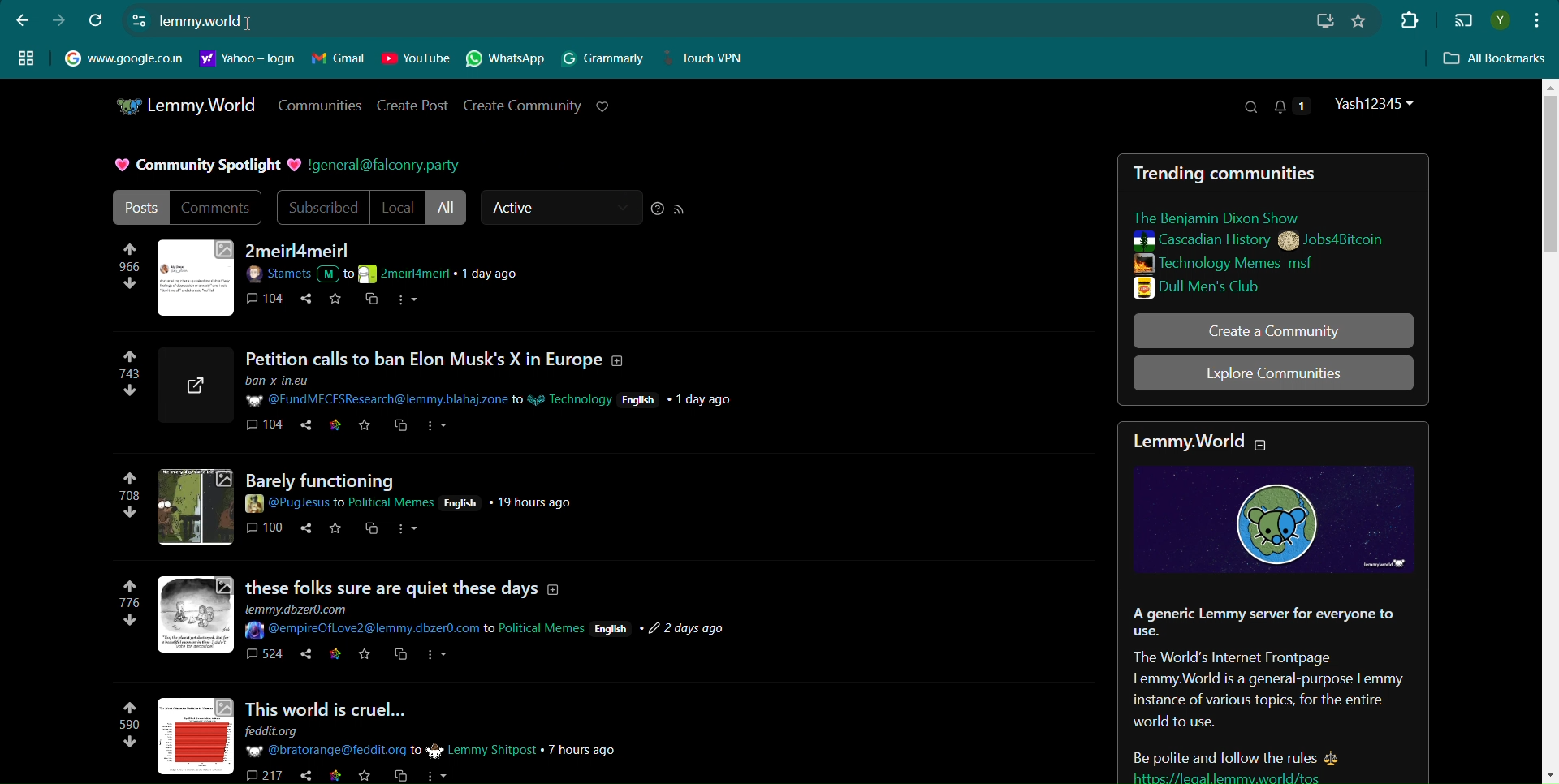 The height and width of the screenshot is (784, 1559). What do you see at coordinates (248, 58) in the screenshot?
I see `Hyperlink` at bounding box center [248, 58].